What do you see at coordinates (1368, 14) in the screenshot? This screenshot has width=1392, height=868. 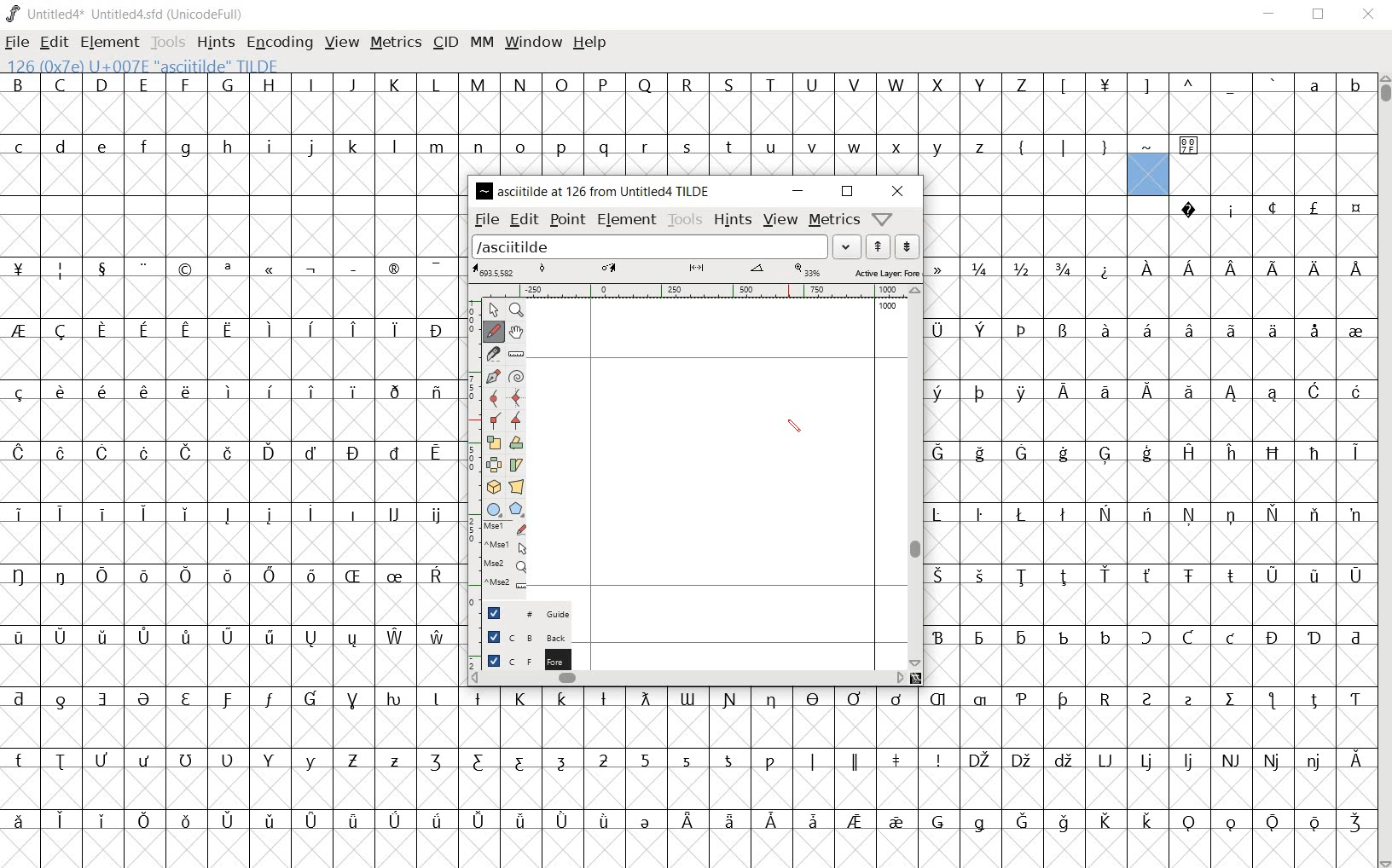 I see `CLOSE` at bounding box center [1368, 14].